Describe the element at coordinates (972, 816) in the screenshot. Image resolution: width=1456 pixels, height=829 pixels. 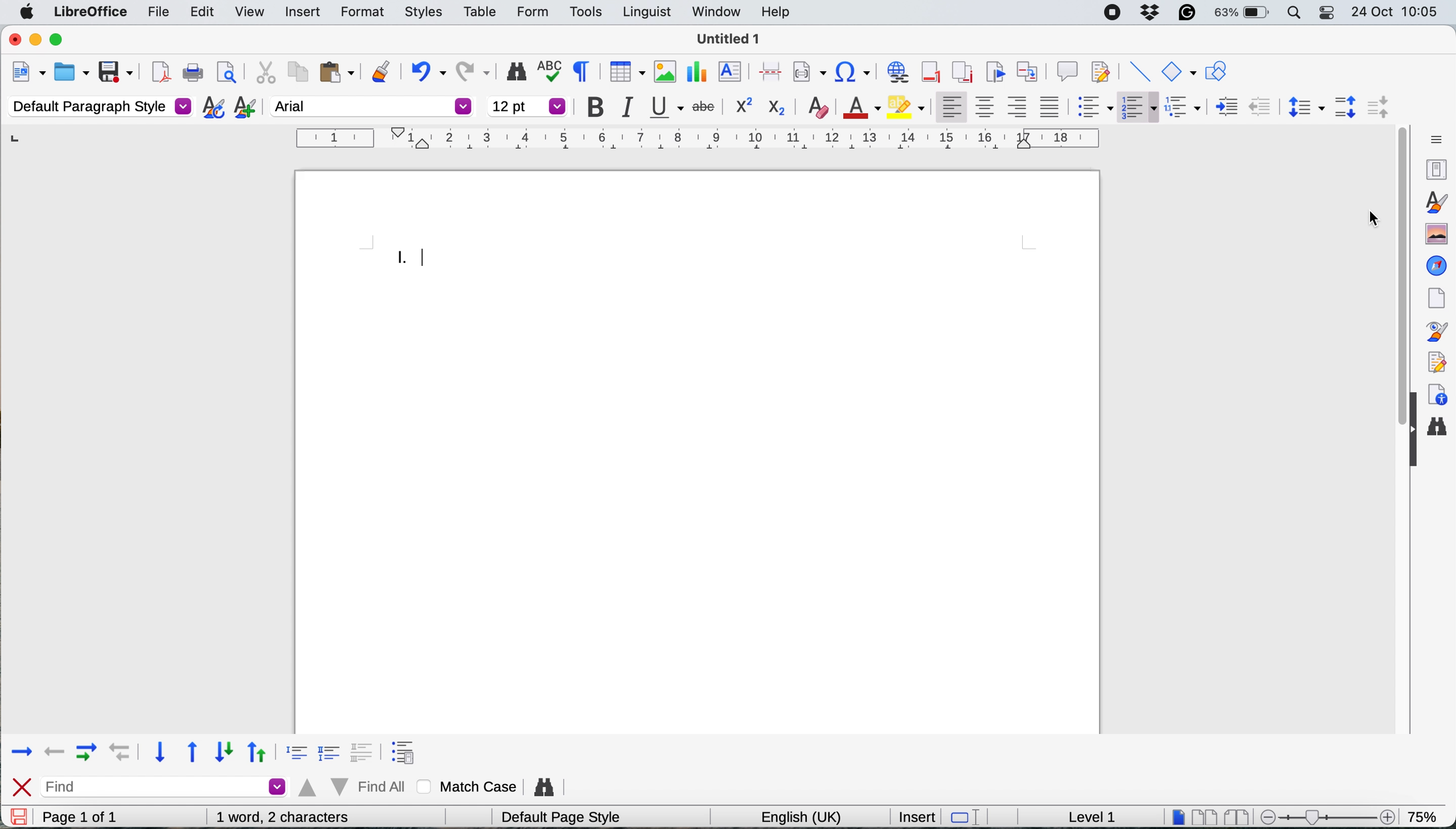
I see `standard selection` at that location.